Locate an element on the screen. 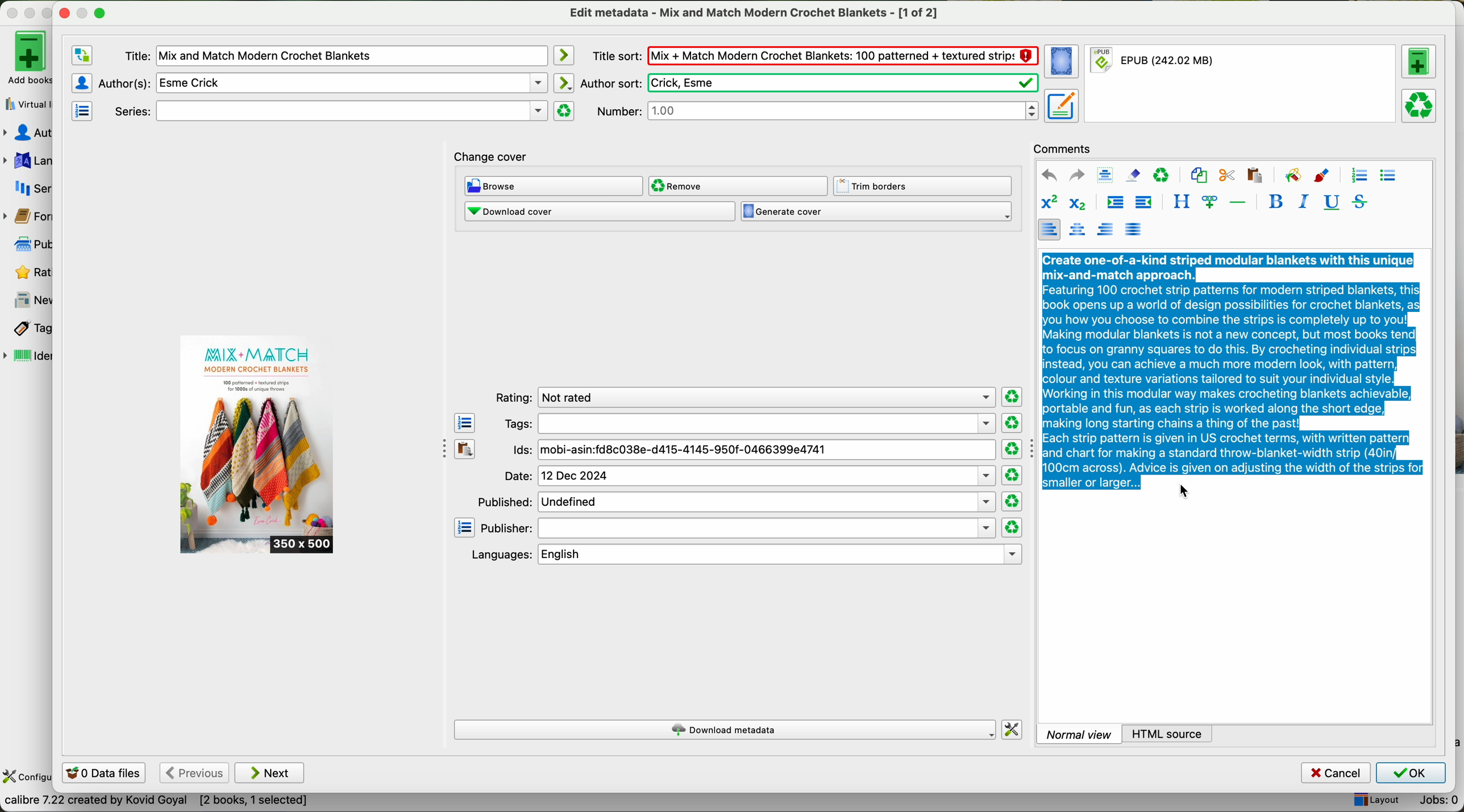 This screenshot has width=1464, height=812. generate cover is located at coordinates (876, 212).